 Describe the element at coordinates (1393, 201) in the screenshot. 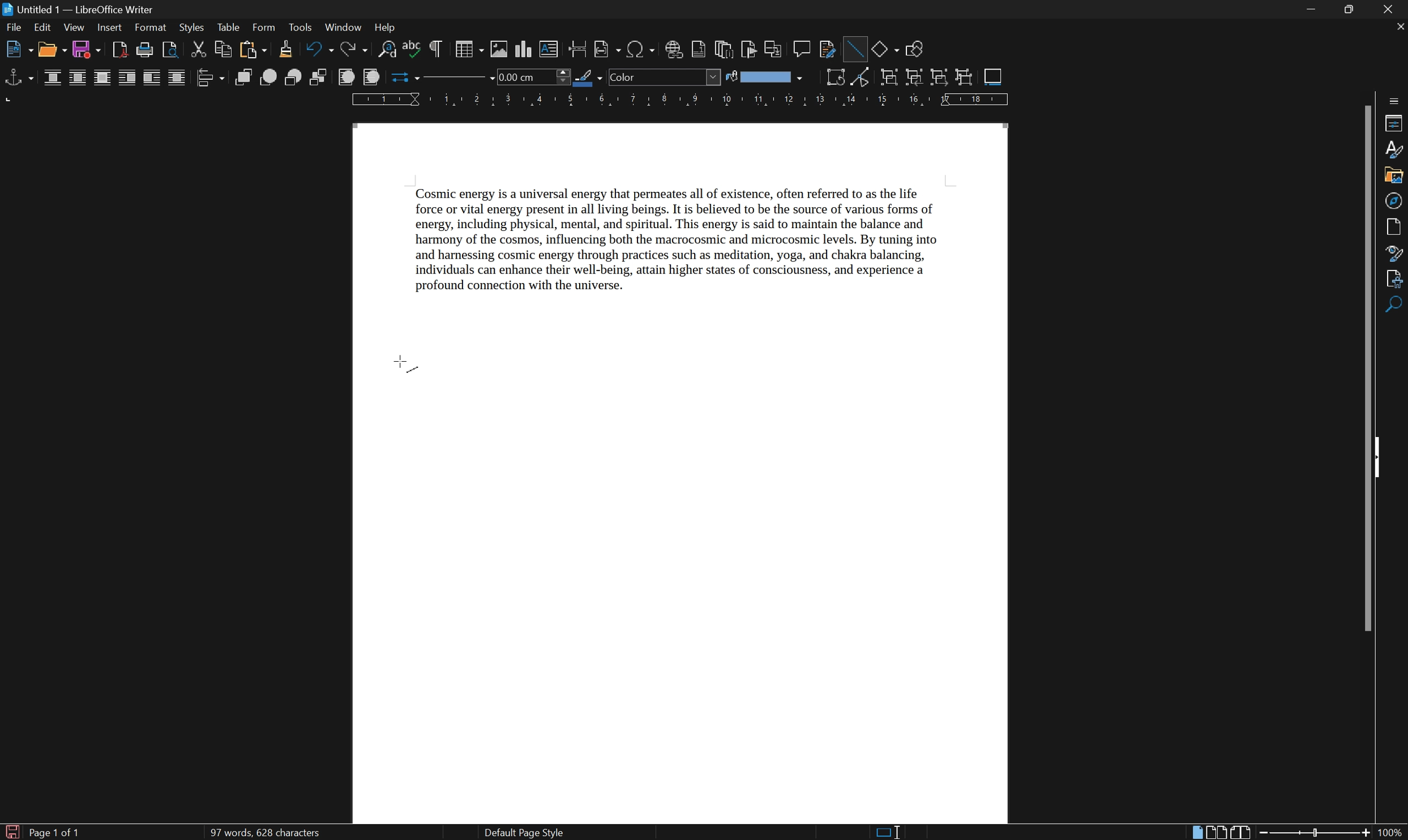

I see `navigator` at that location.